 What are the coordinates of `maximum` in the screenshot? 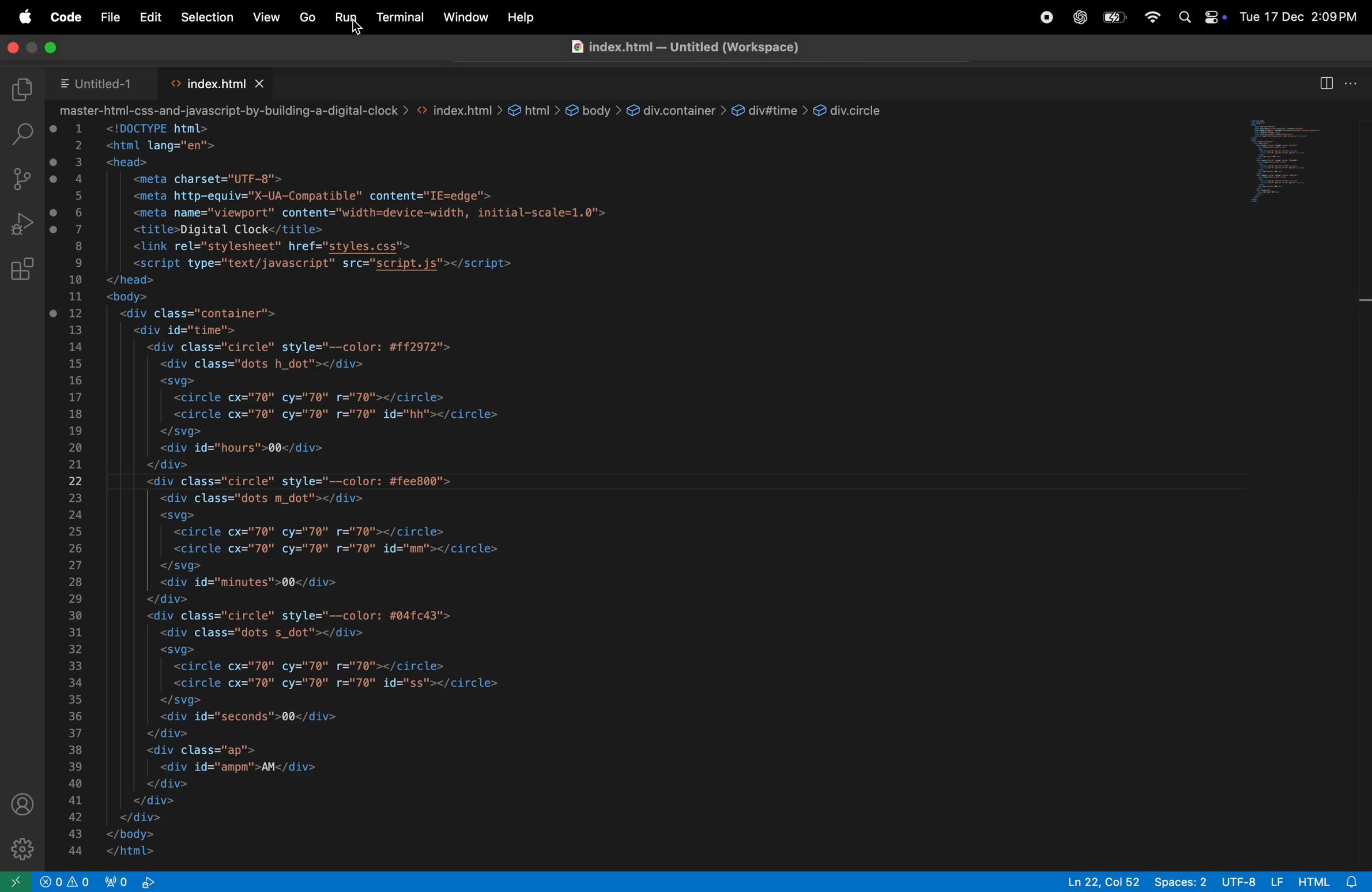 It's located at (49, 47).